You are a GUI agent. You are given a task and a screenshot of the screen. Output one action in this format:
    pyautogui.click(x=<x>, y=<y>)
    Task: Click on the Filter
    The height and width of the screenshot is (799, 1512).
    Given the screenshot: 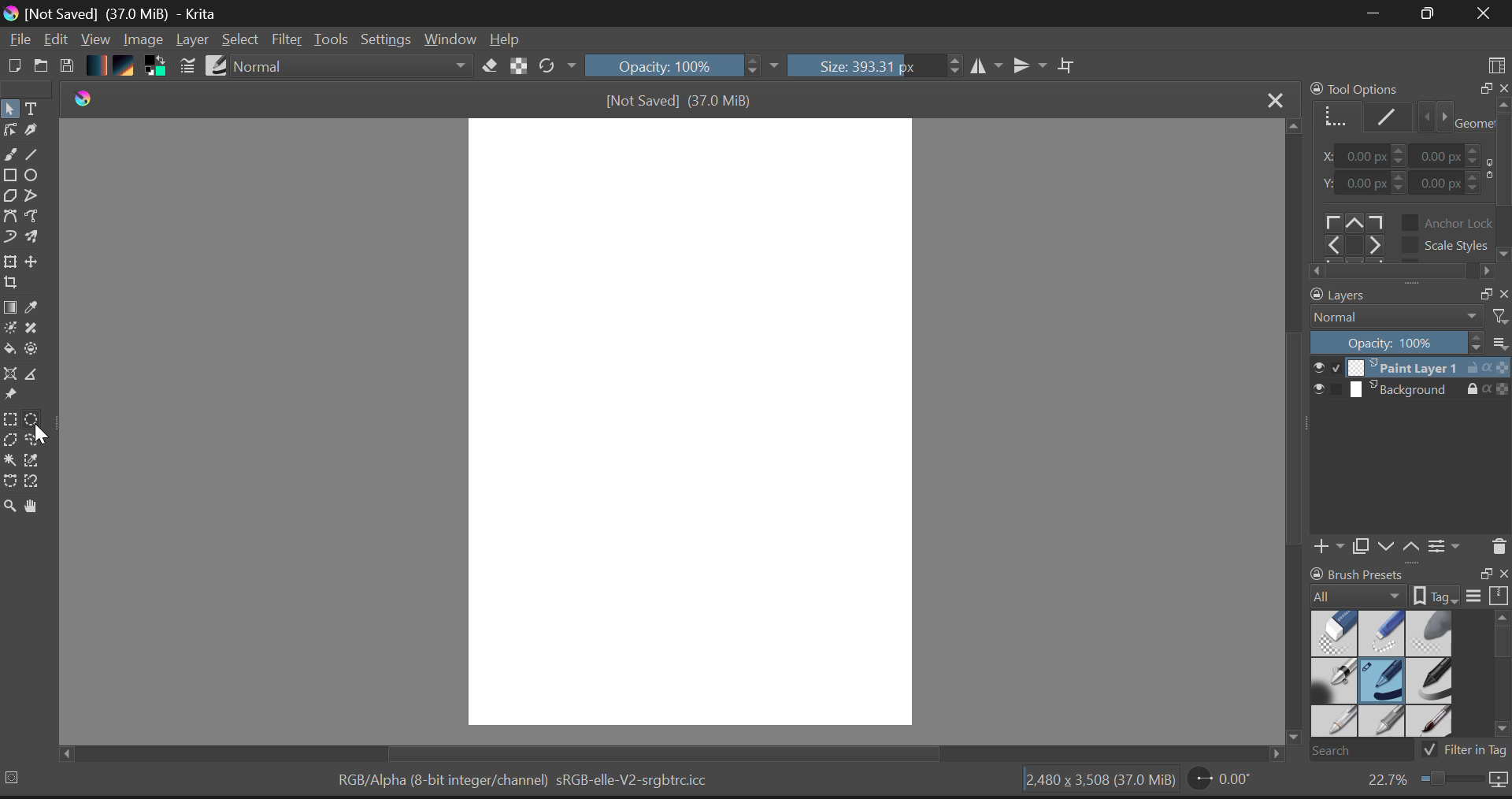 What is the action you would take?
    pyautogui.click(x=287, y=40)
    